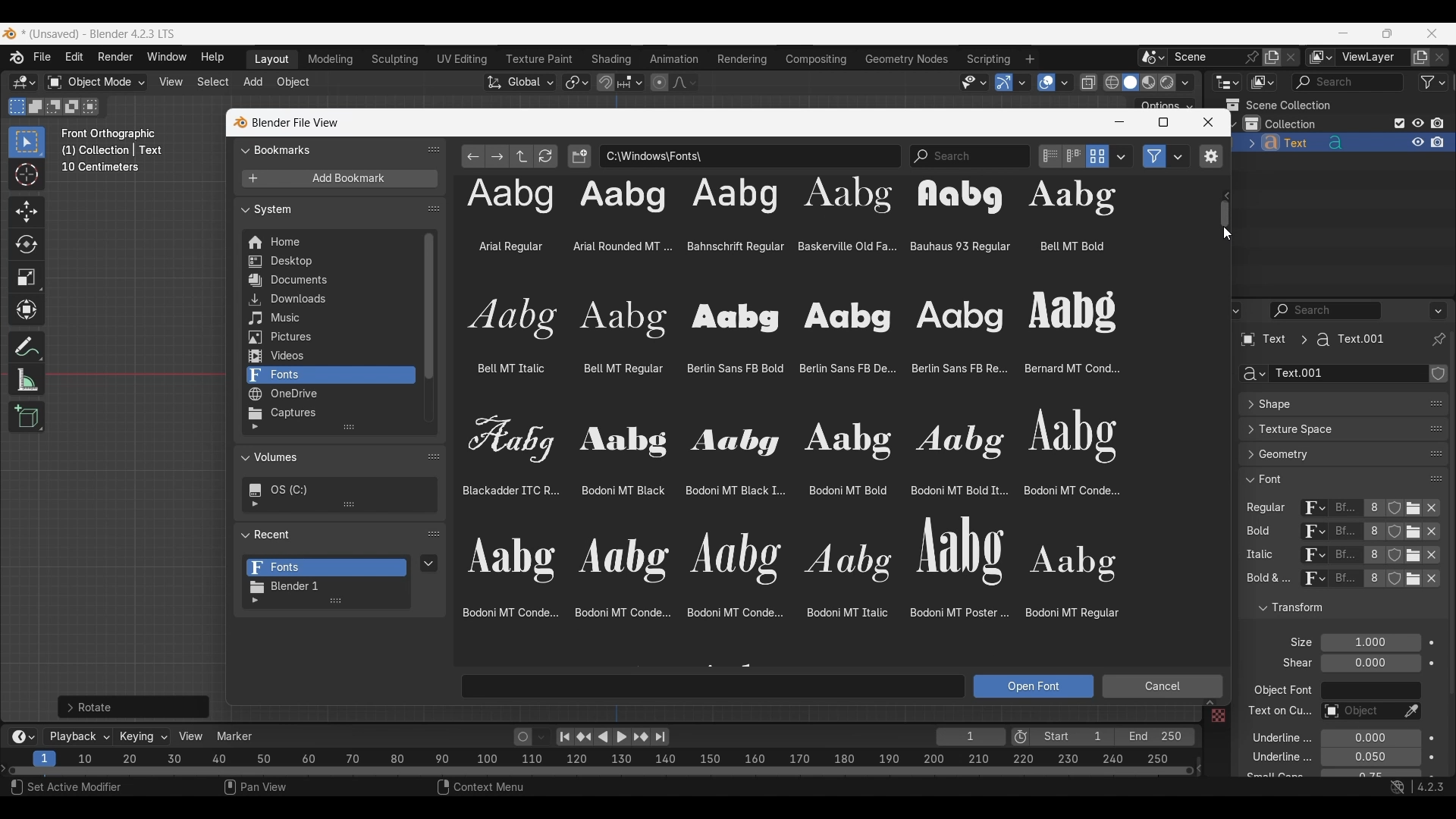 This screenshot has height=819, width=1456. What do you see at coordinates (1346, 557) in the screenshot?
I see `` at bounding box center [1346, 557].